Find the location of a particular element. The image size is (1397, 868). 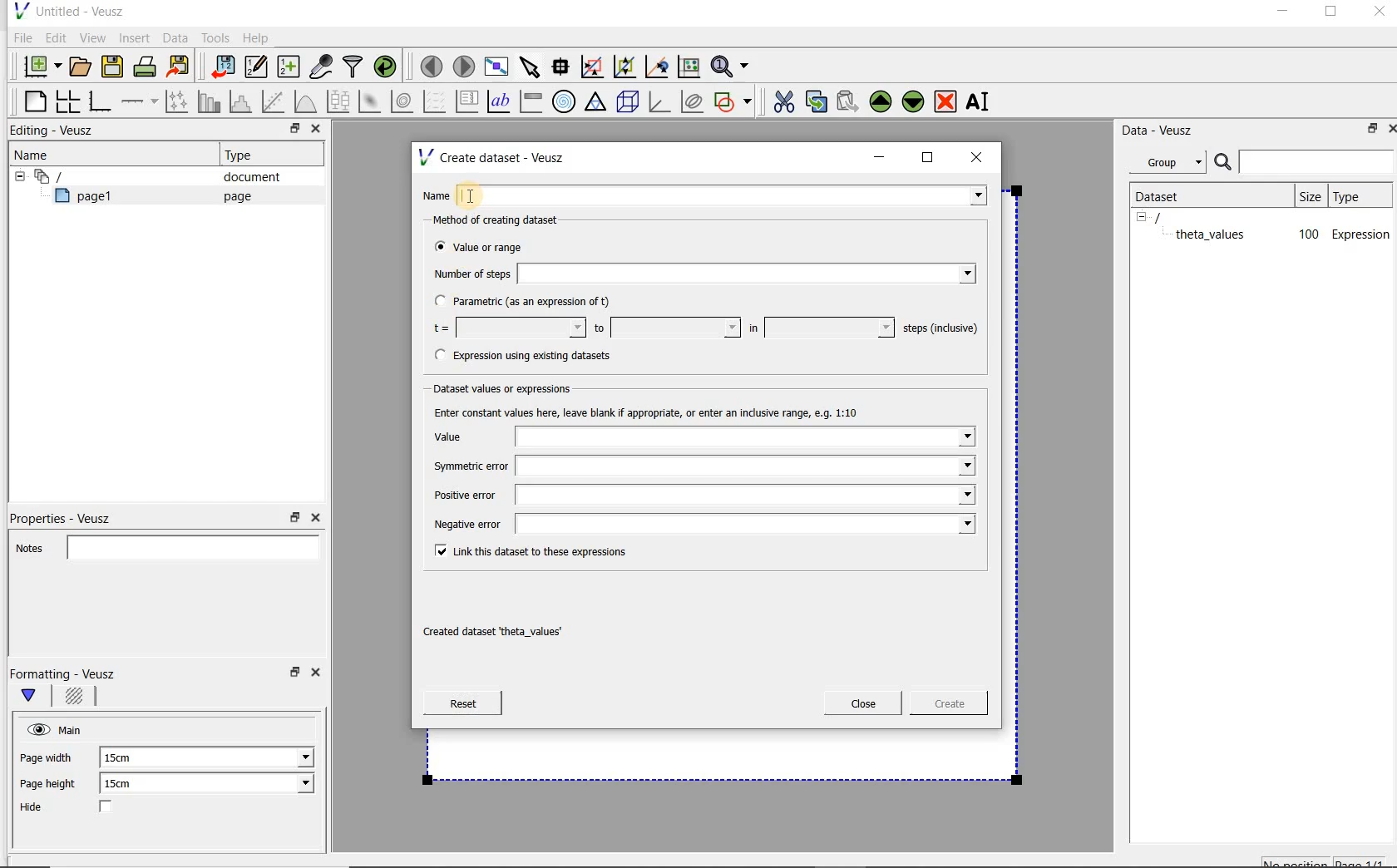

select items from the graph or scroll is located at coordinates (529, 65).